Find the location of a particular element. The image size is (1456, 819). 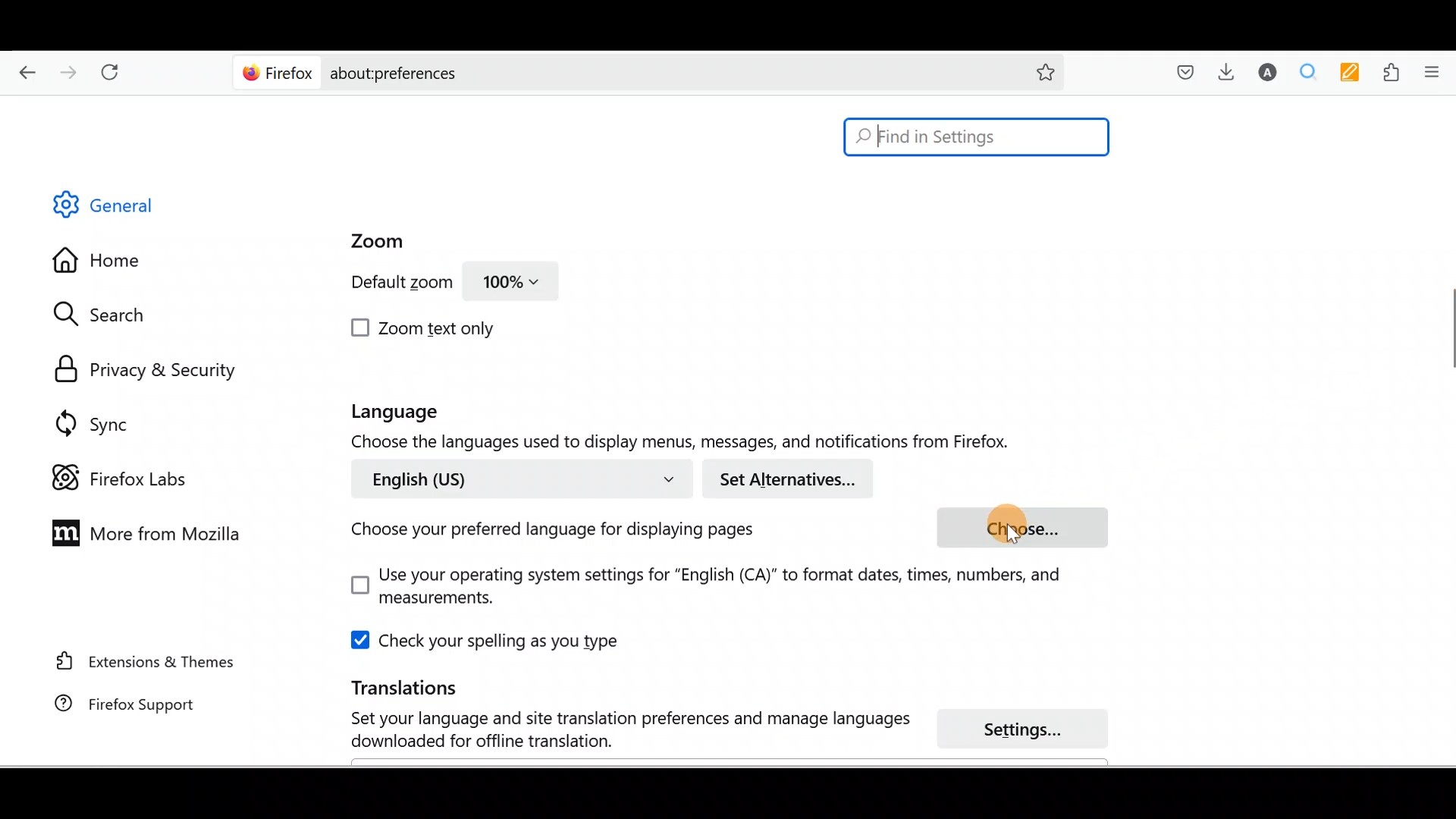

Set alternatives is located at coordinates (793, 479).